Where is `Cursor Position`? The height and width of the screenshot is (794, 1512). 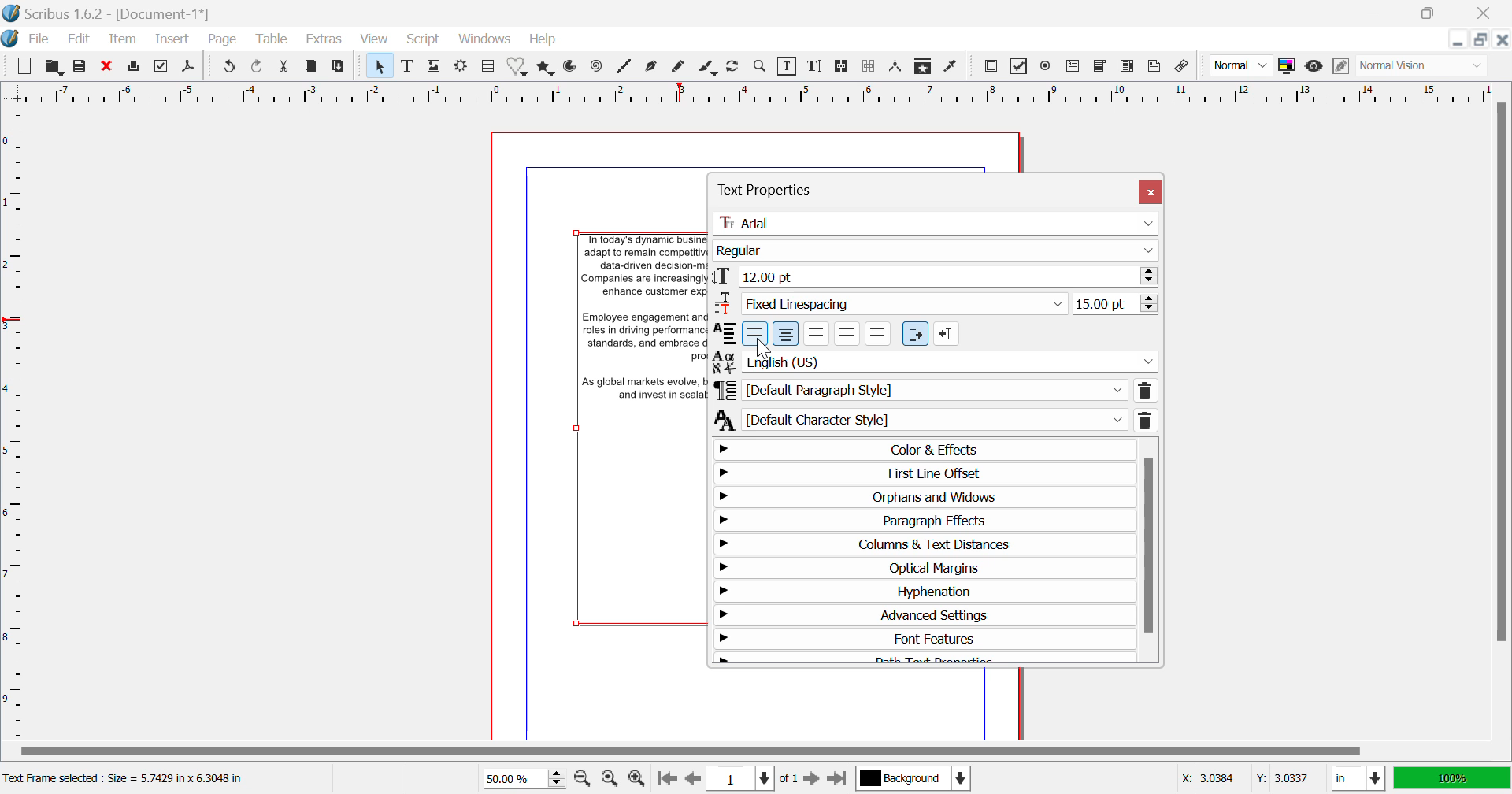 Cursor Position is located at coordinates (1248, 779).